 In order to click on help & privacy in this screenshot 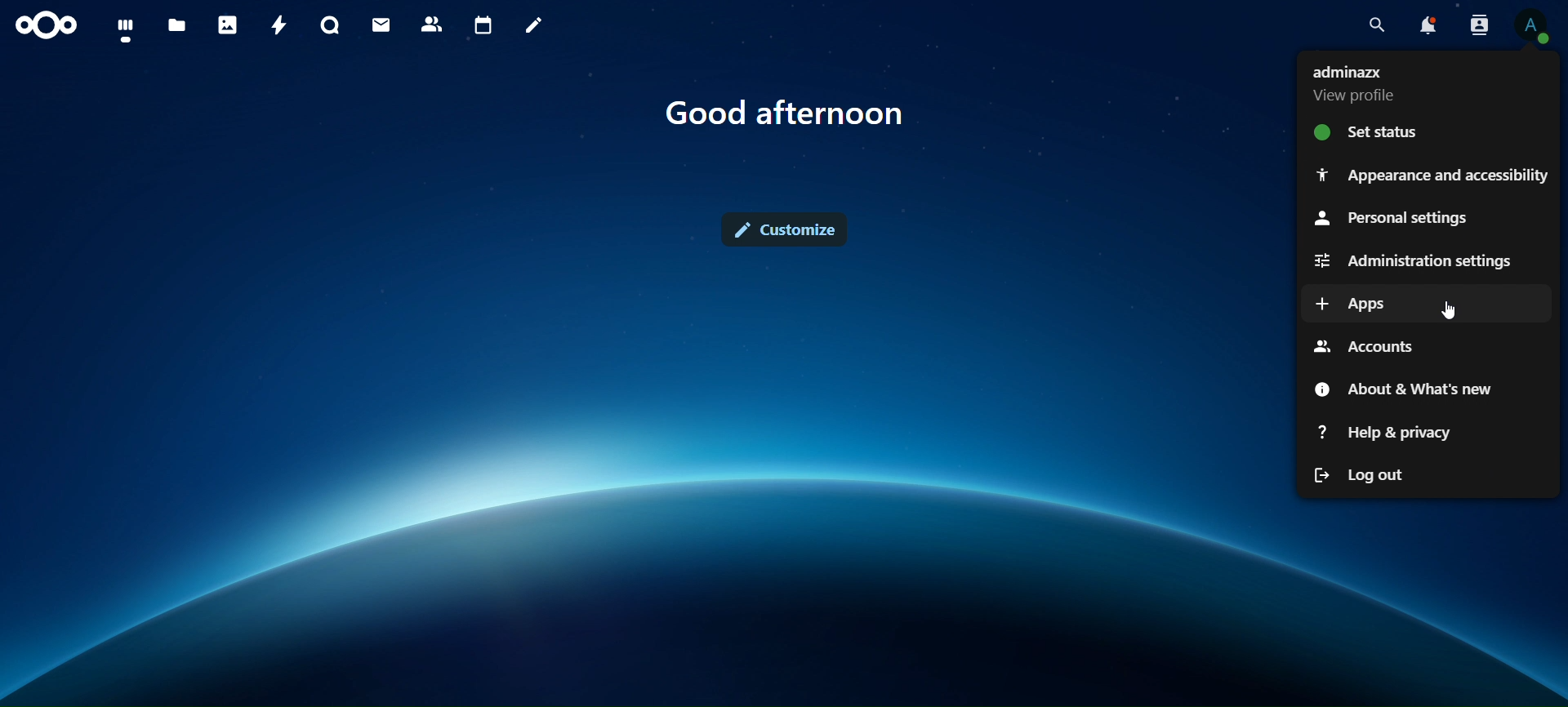, I will do `click(1387, 432)`.